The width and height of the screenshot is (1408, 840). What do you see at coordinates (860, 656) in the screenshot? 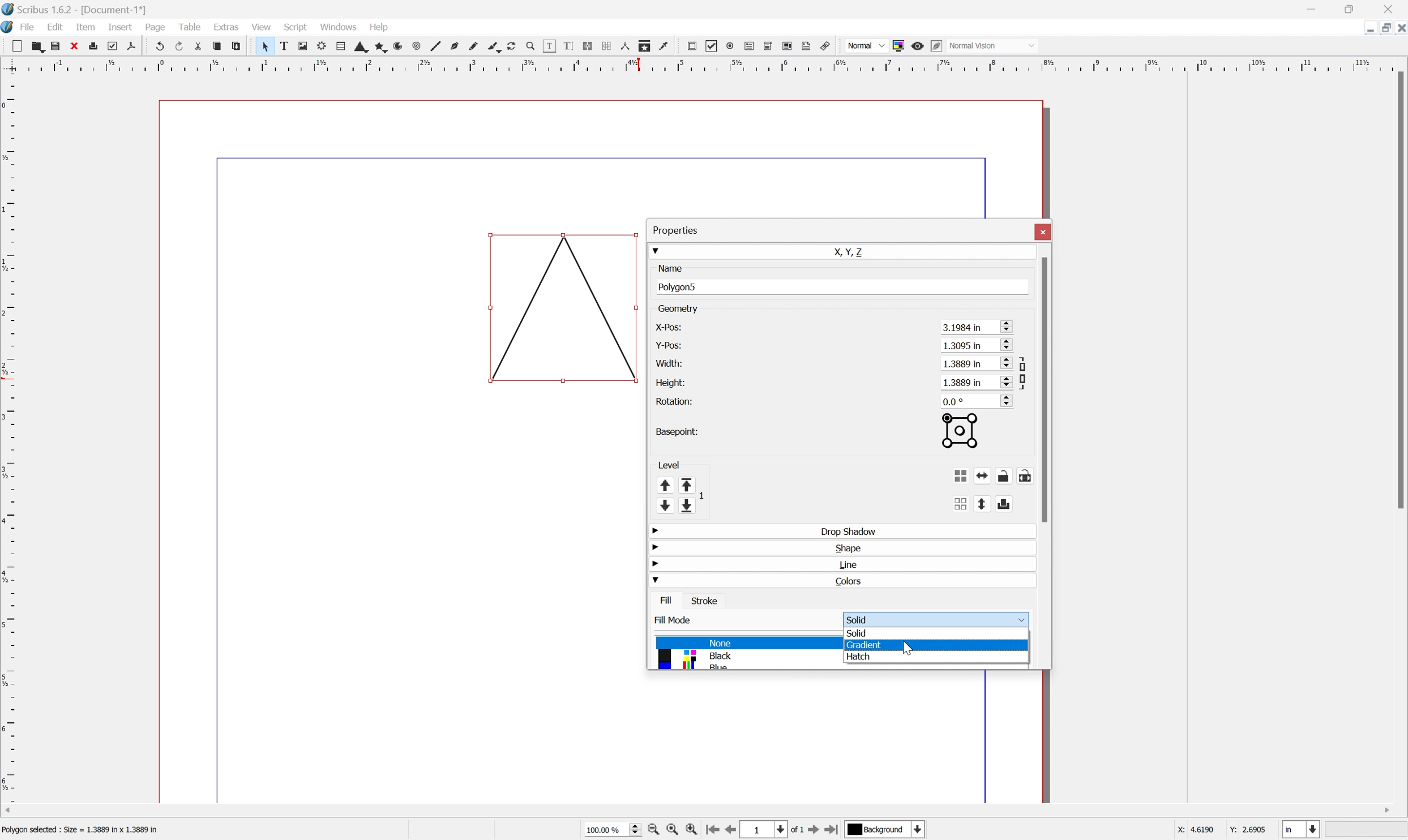
I see `Hatch` at bounding box center [860, 656].